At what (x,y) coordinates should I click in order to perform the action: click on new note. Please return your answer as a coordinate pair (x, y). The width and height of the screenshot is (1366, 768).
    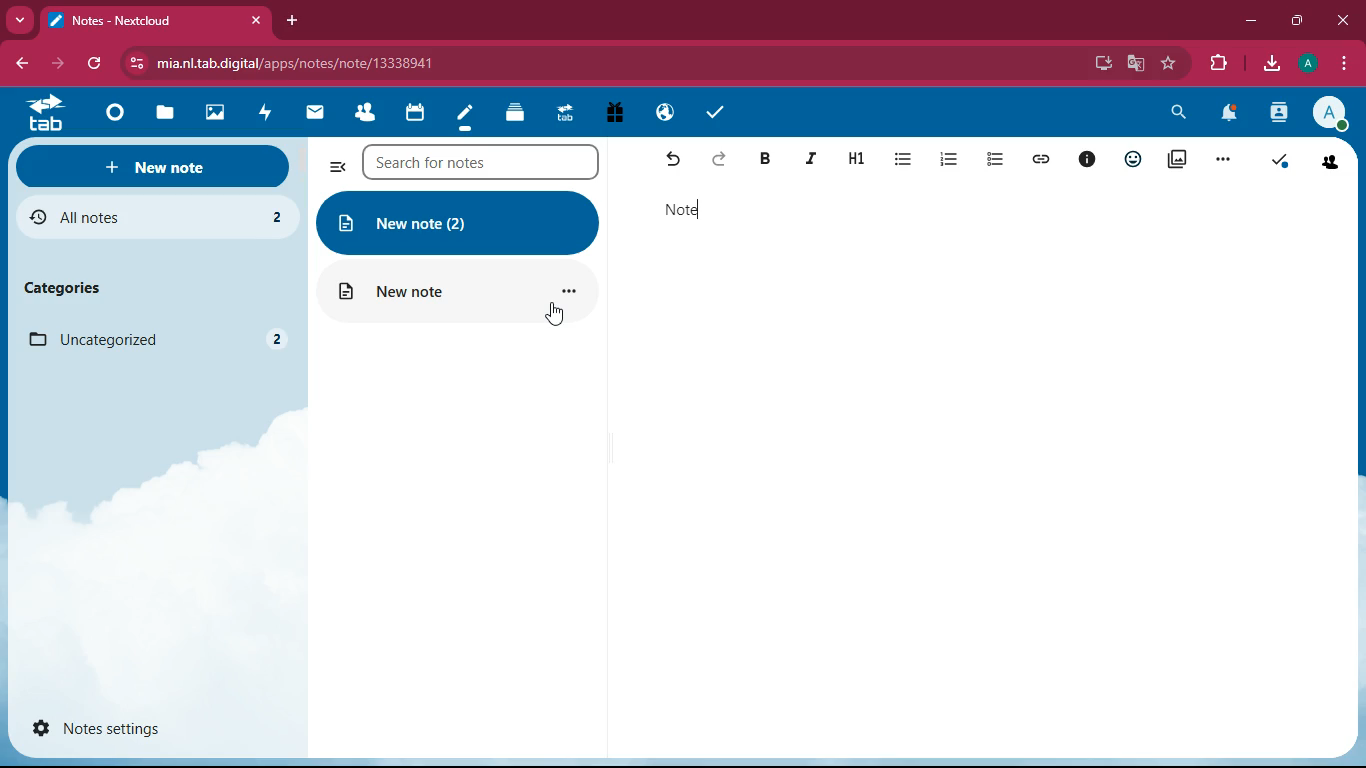
    Looking at the image, I should click on (457, 295).